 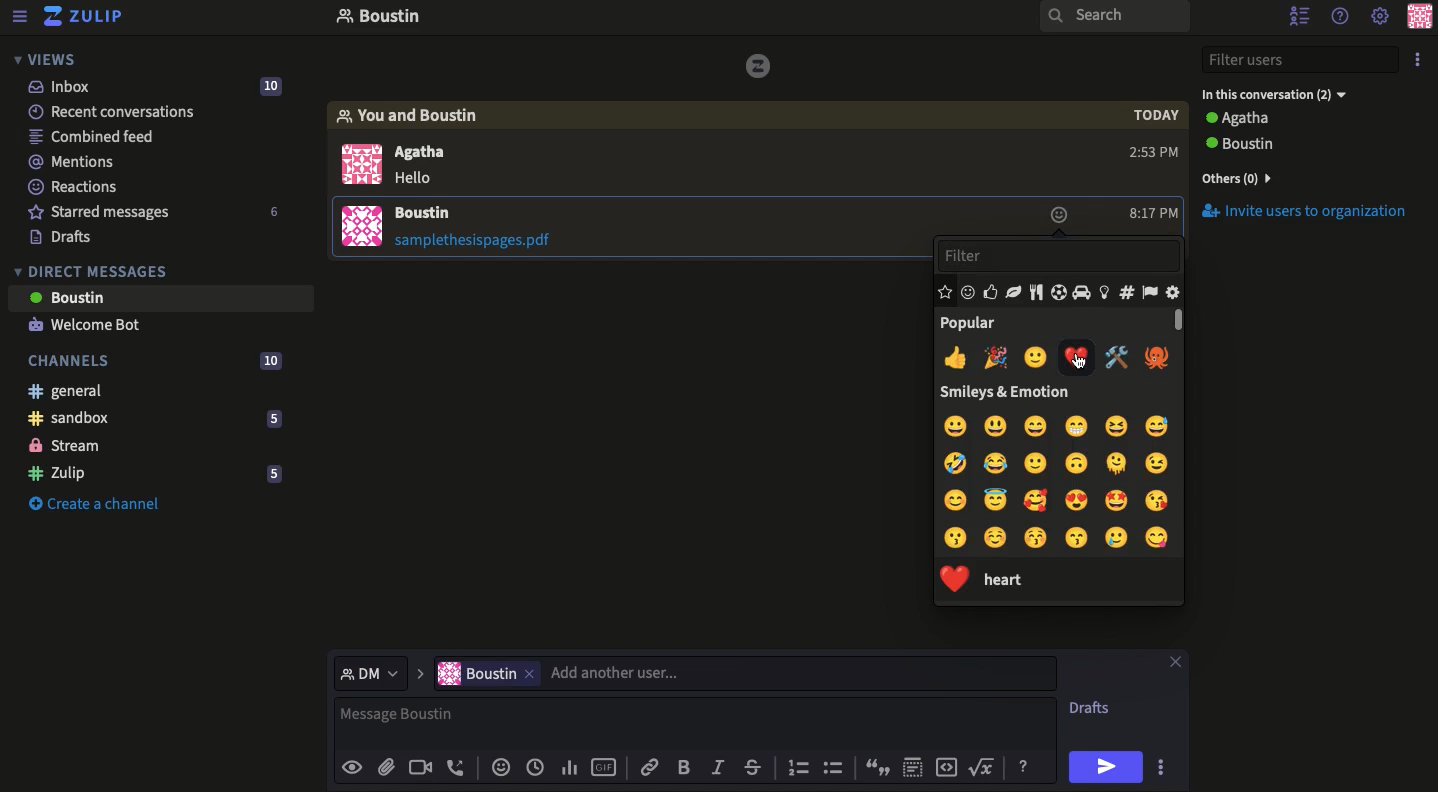 I want to click on Inbox, so click(x=169, y=86).